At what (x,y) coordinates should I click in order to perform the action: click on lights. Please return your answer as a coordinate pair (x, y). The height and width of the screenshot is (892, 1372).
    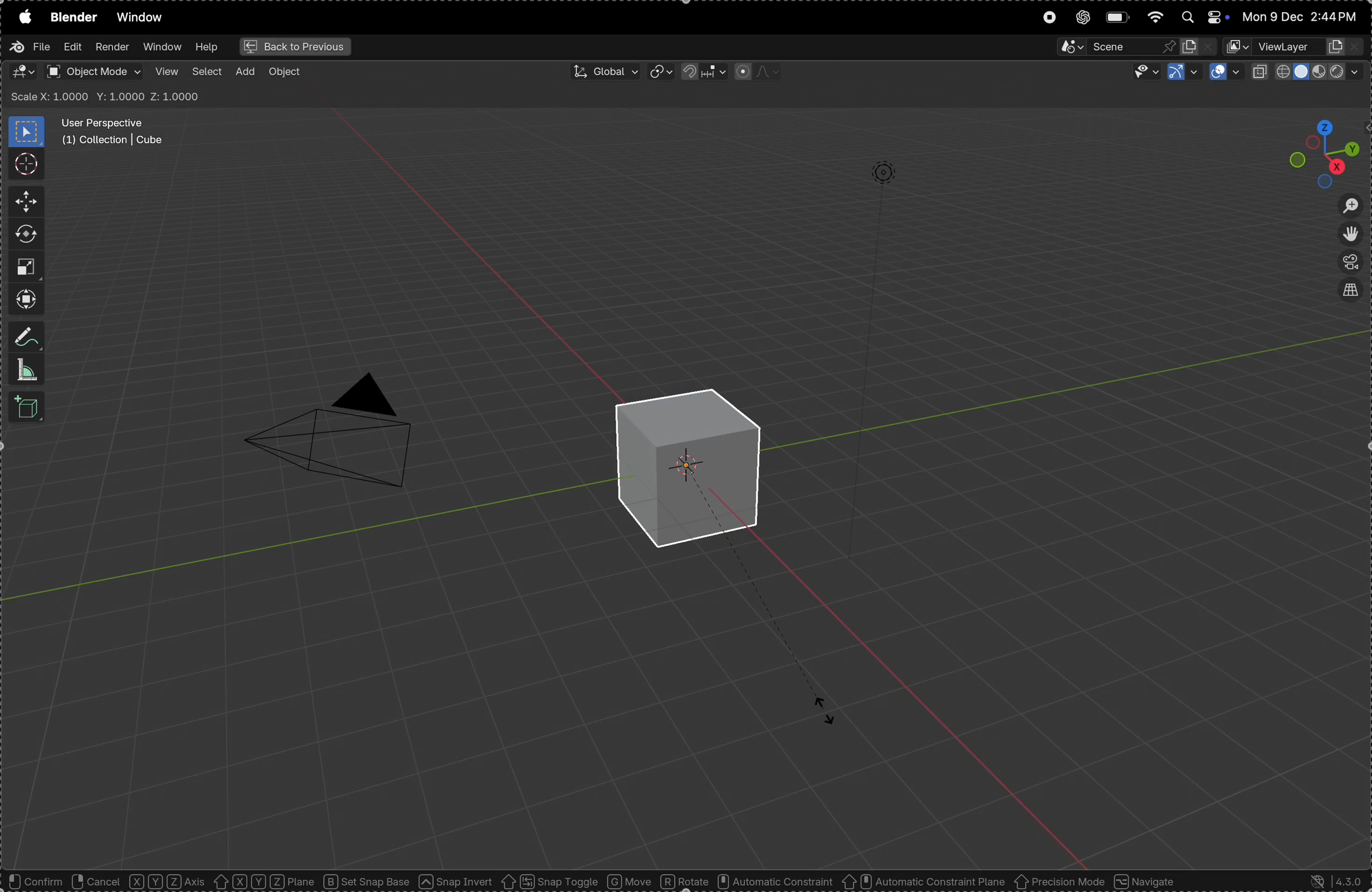
    Looking at the image, I should click on (882, 171).